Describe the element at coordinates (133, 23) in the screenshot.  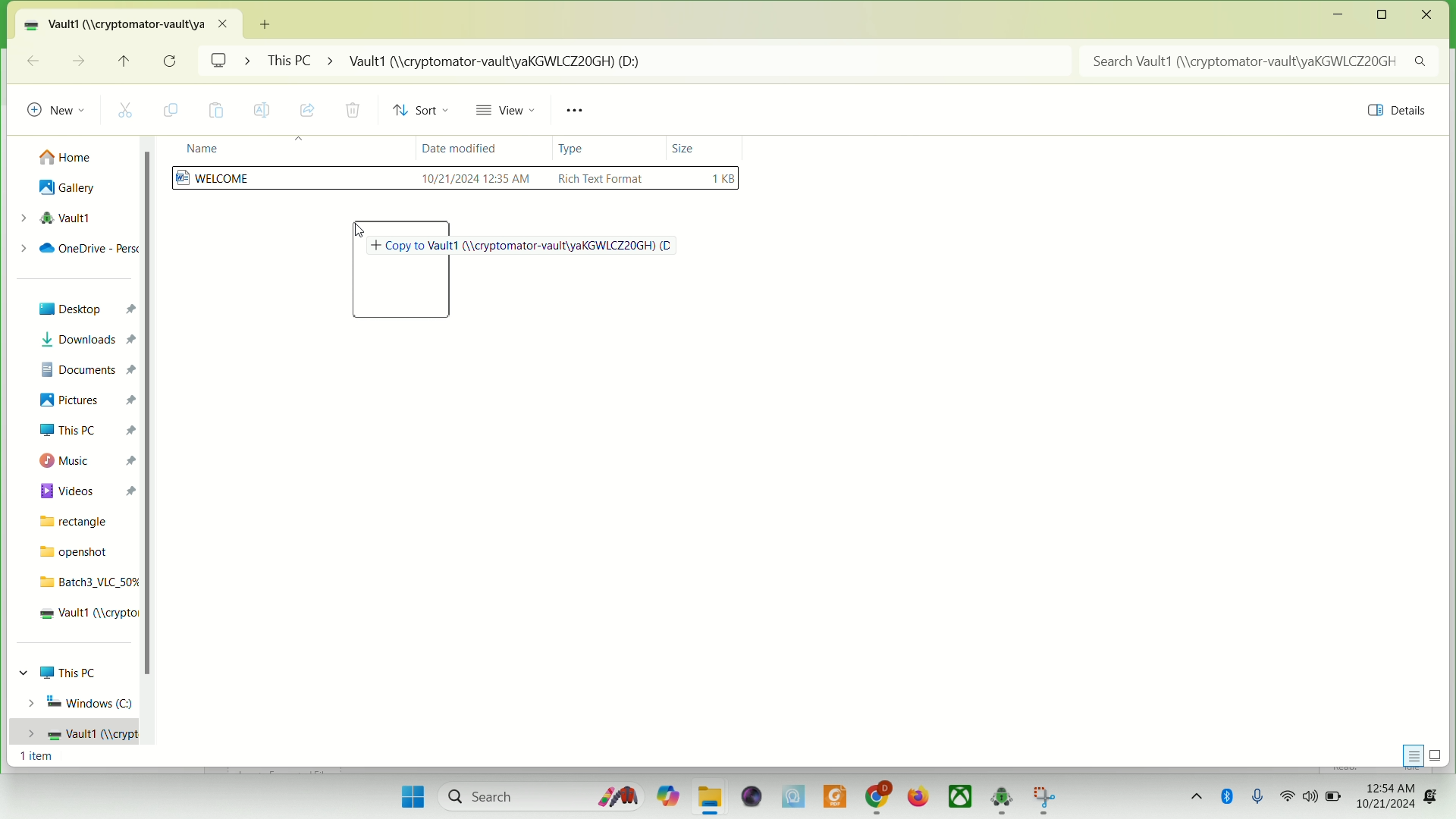
I see `vault1 location` at that location.